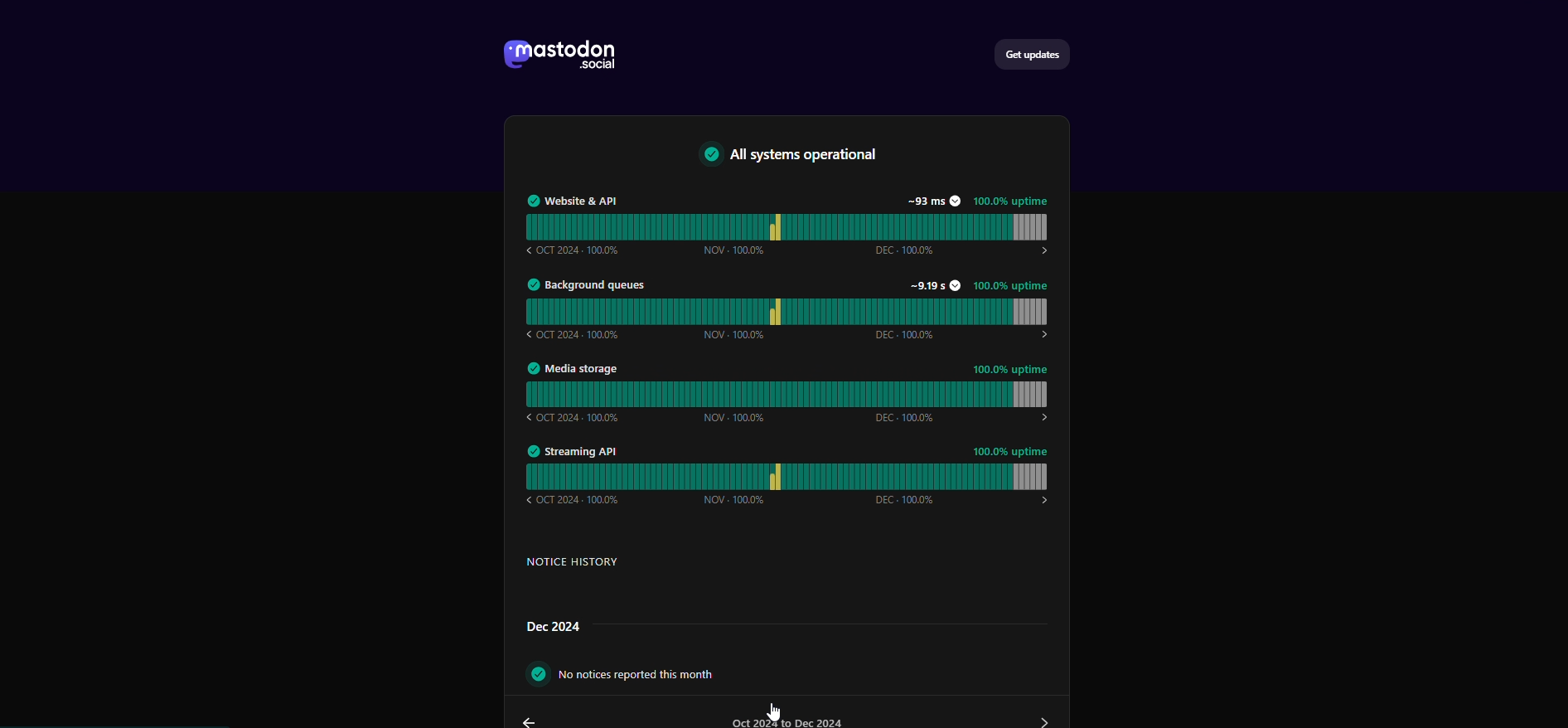  I want to click on website and api status, so click(791, 223).